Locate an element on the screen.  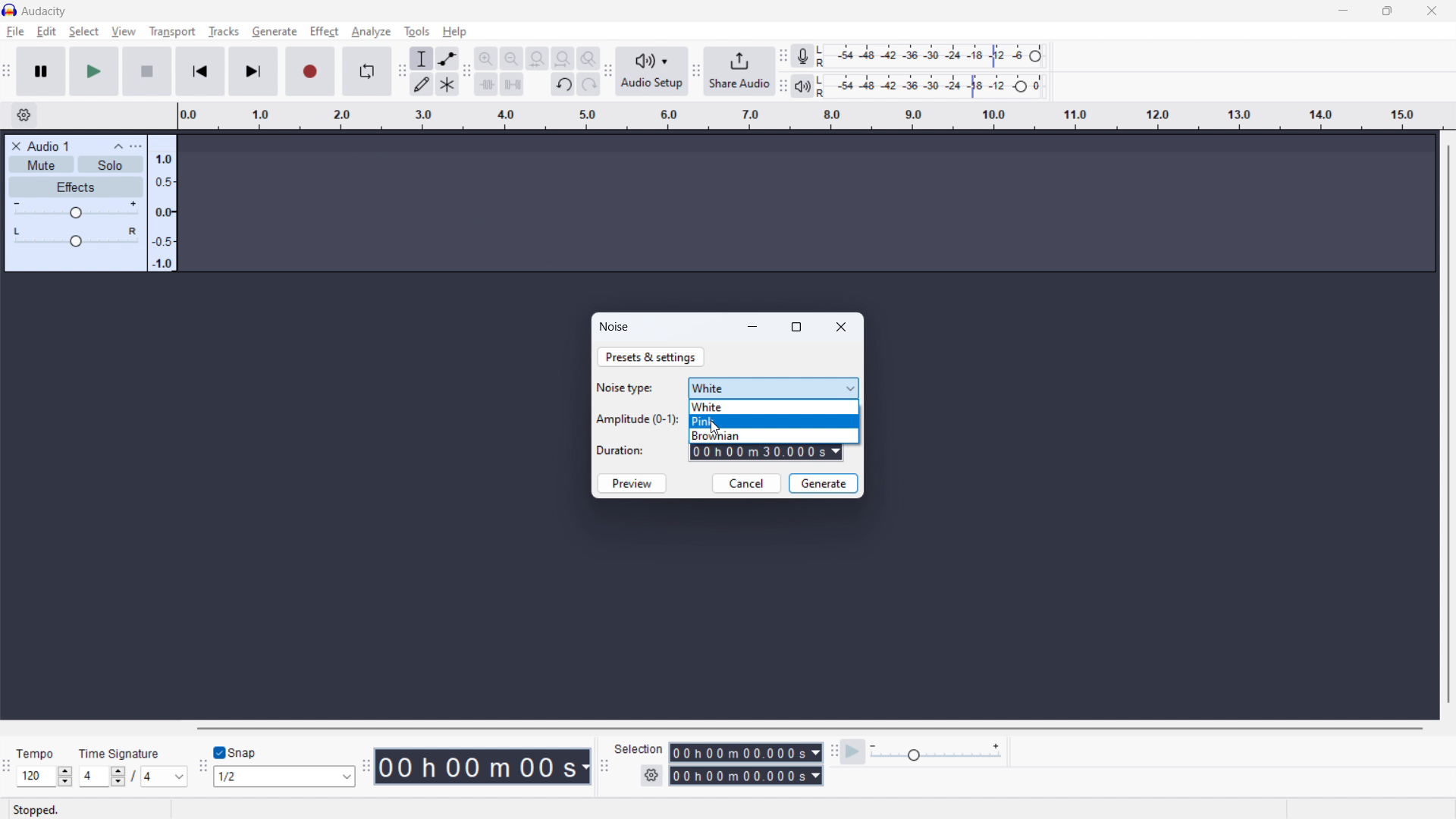
stop is located at coordinates (147, 72).